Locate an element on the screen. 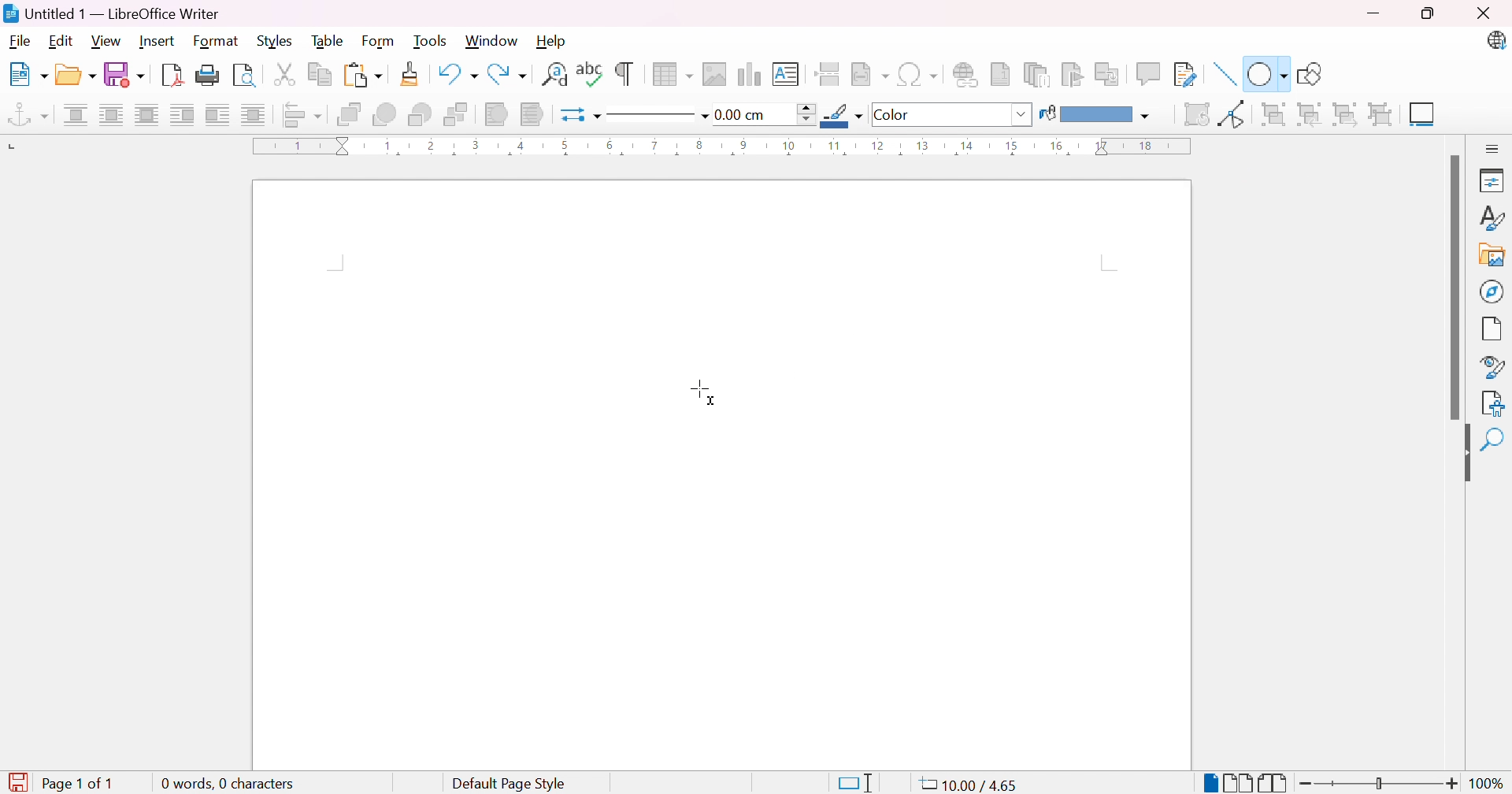 The height and width of the screenshot is (794, 1512). Ungroup is located at coordinates (1382, 115).